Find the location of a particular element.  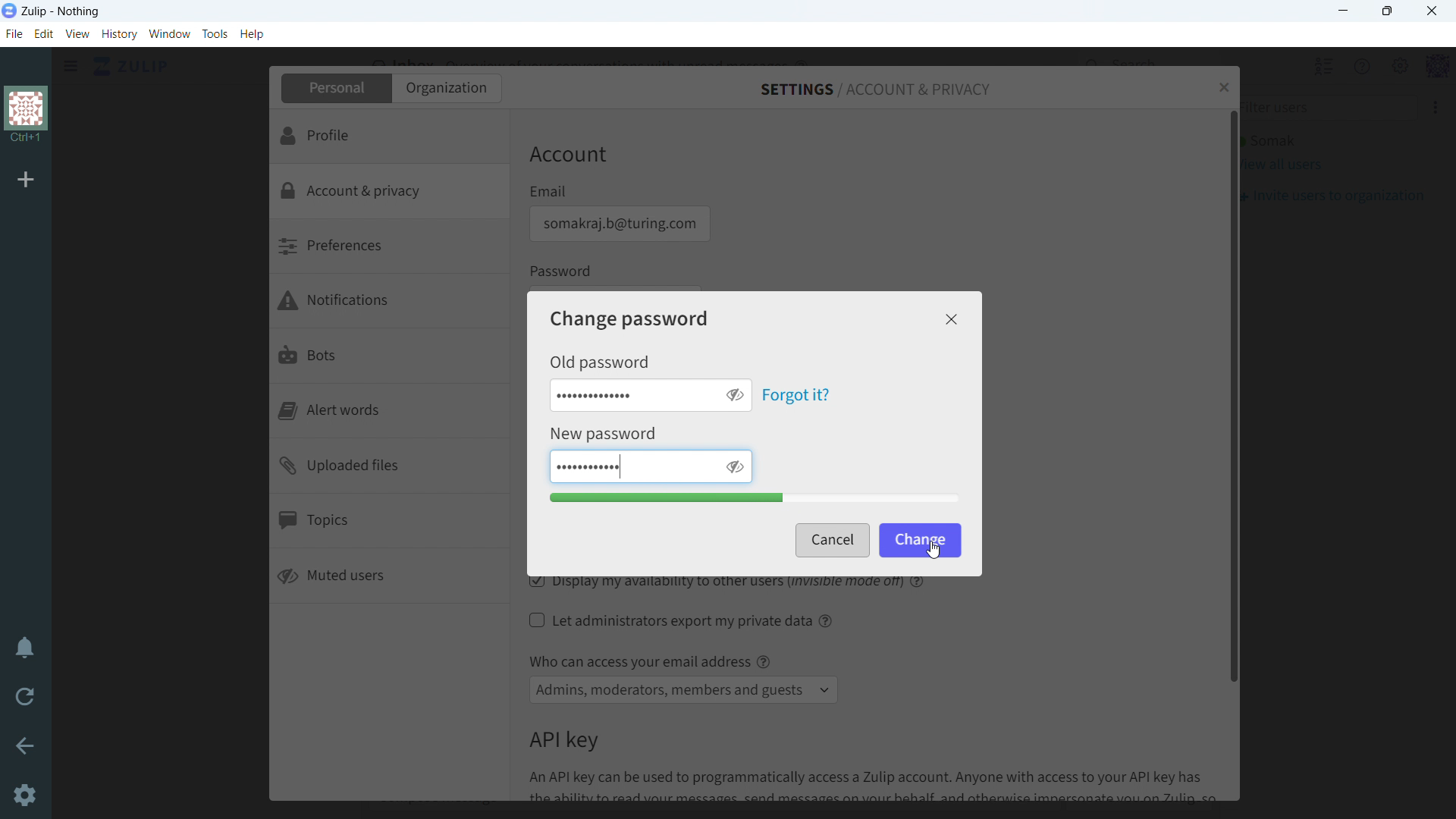

help is located at coordinates (827, 620).